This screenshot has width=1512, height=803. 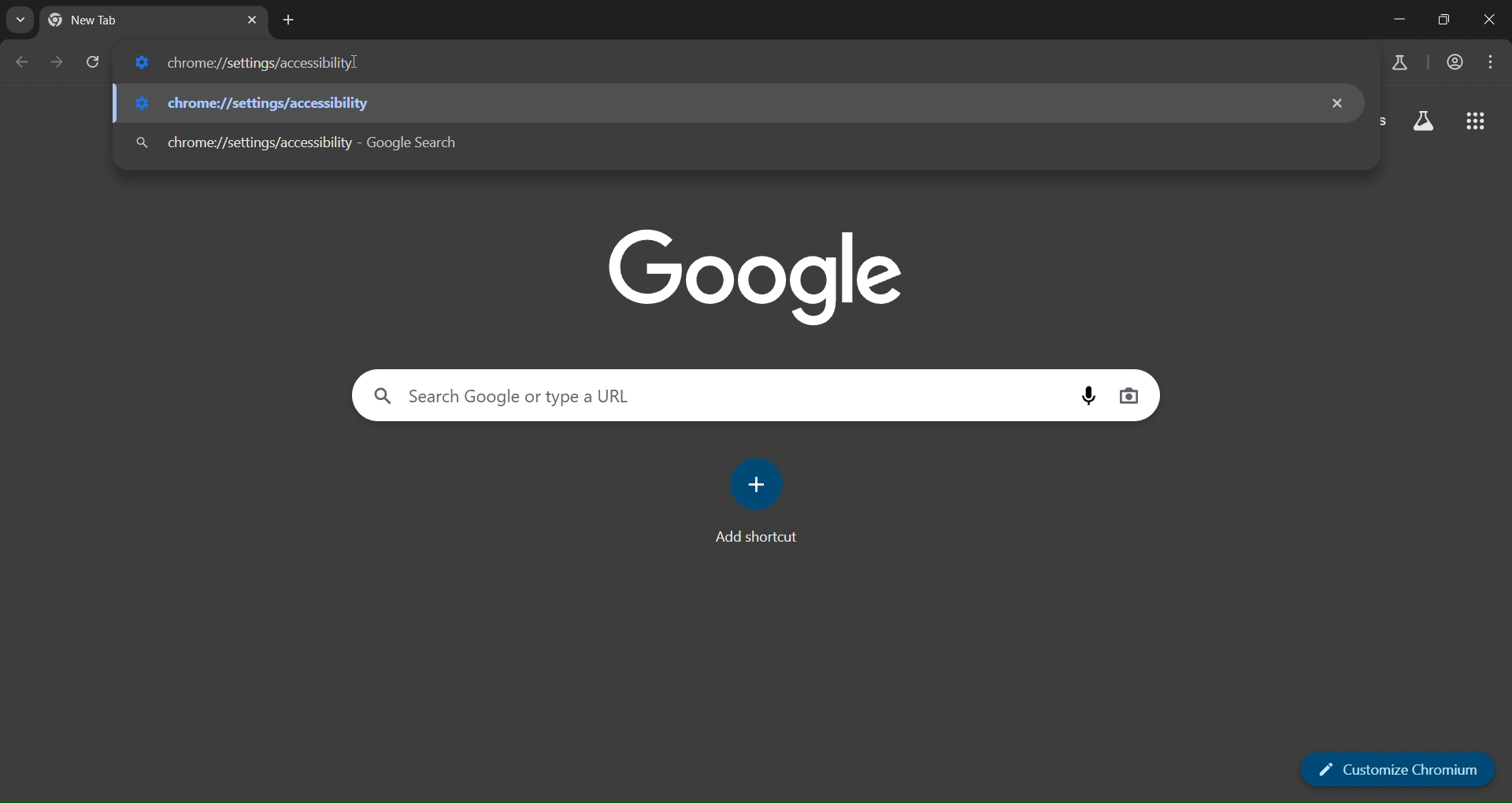 What do you see at coordinates (1479, 120) in the screenshot?
I see `google apps` at bounding box center [1479, 120].